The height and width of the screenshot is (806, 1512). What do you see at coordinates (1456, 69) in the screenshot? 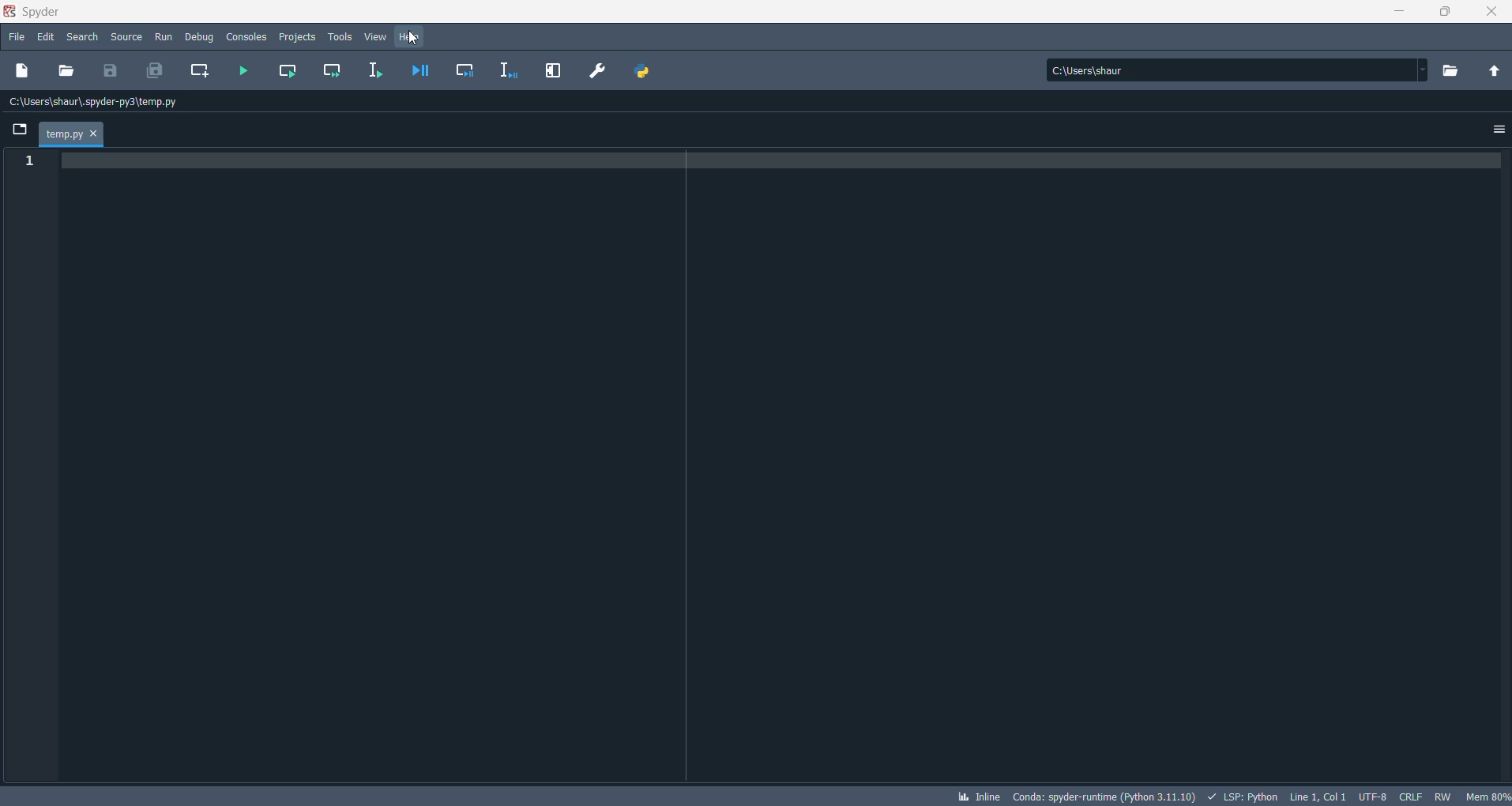
I see `browse directory` at bounding box center [1456, 69].